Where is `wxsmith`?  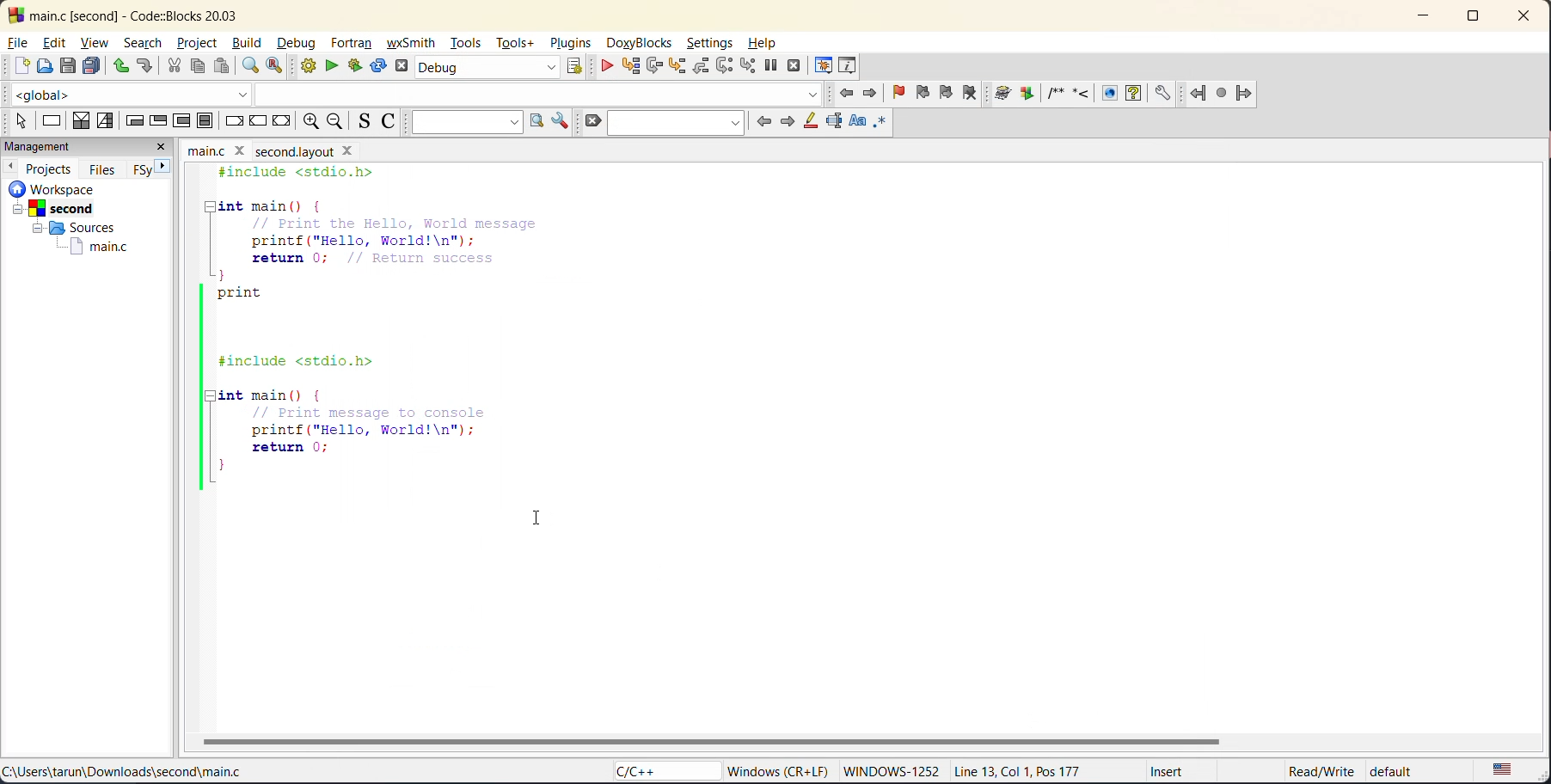 wxsmith is located at coordinates (414, 42).